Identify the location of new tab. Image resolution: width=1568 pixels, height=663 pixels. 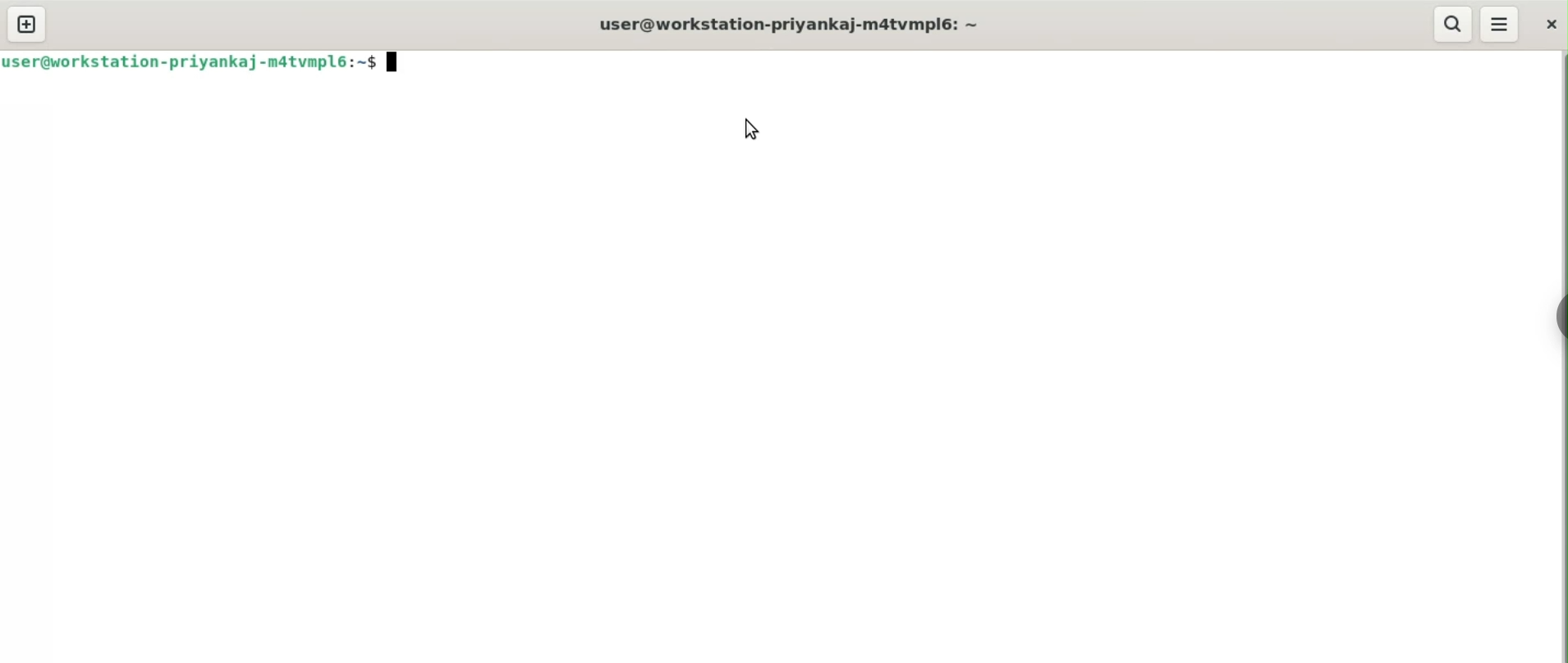
(30, 24).